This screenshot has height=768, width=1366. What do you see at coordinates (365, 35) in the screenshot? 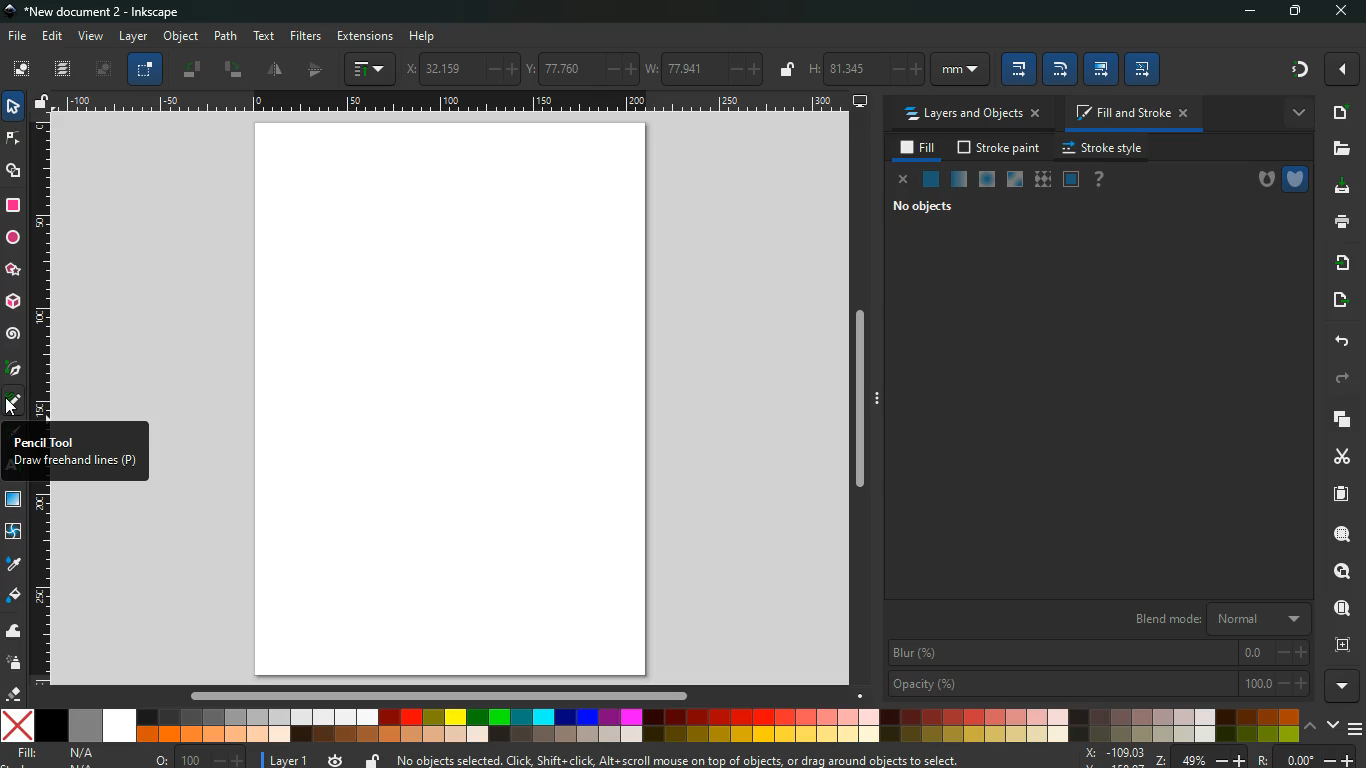
I see `extensions` at bounding box center [365, 35].